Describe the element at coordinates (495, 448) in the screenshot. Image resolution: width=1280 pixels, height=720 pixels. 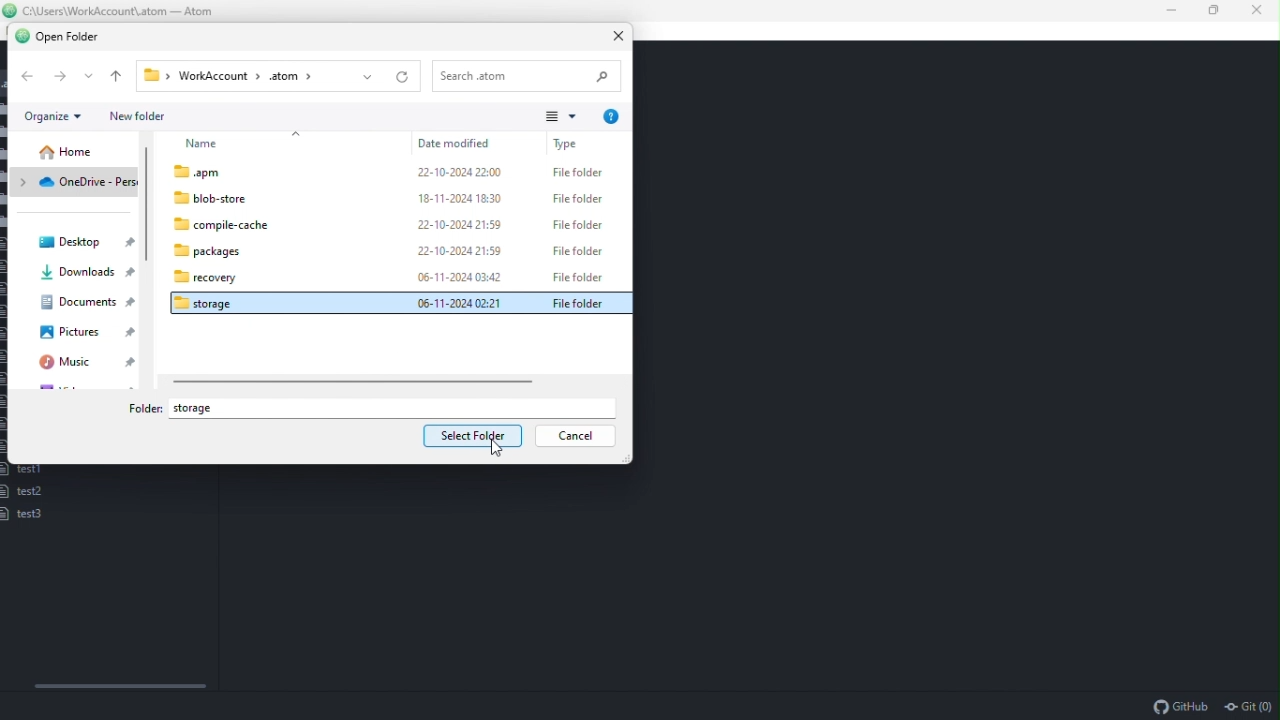
I see `Cursor` at that location.